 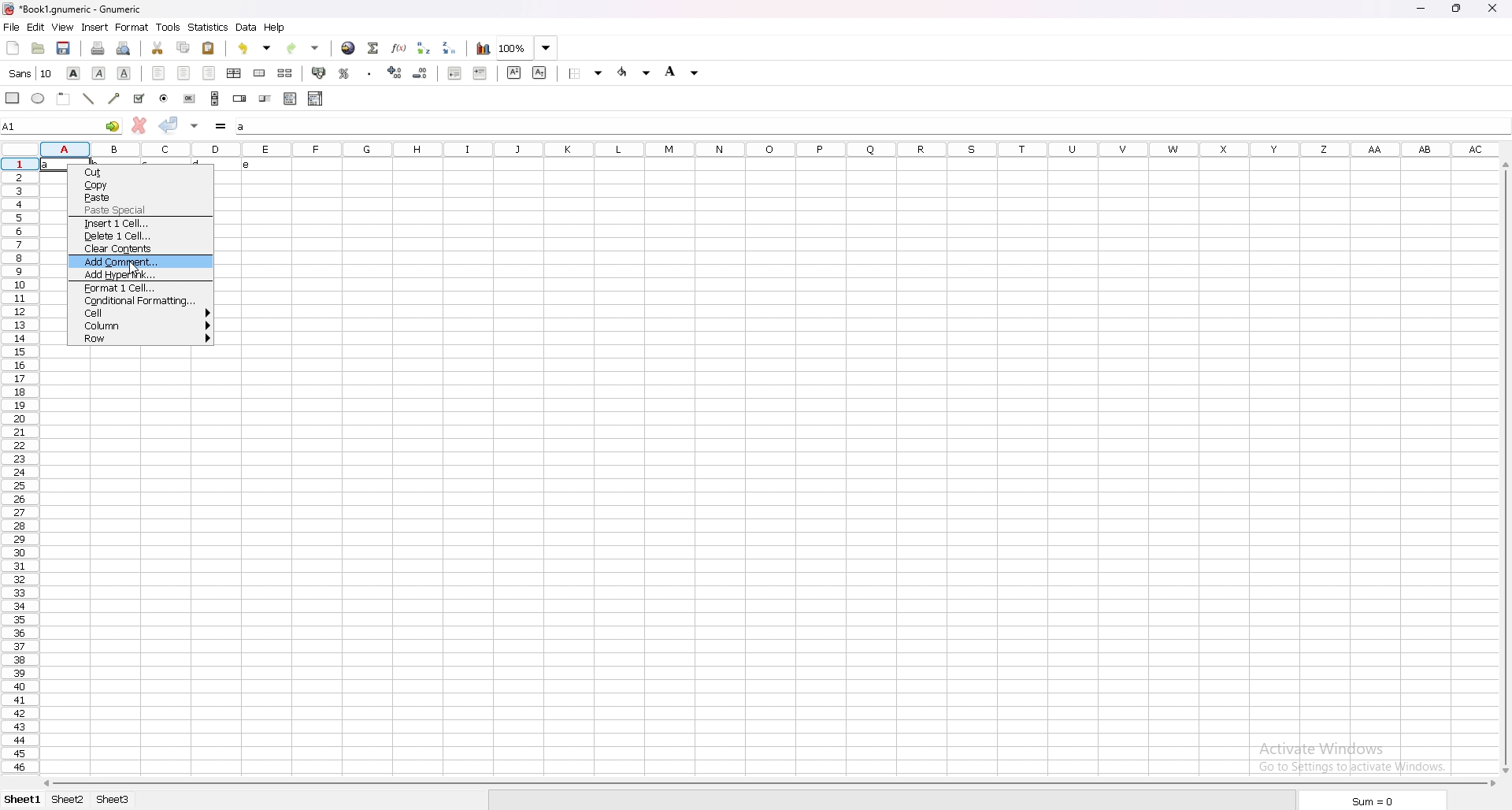 What do you see at coordinates (370, 72) in the screenshot?
I see `thousand separator` at bounding box center [370, 72].